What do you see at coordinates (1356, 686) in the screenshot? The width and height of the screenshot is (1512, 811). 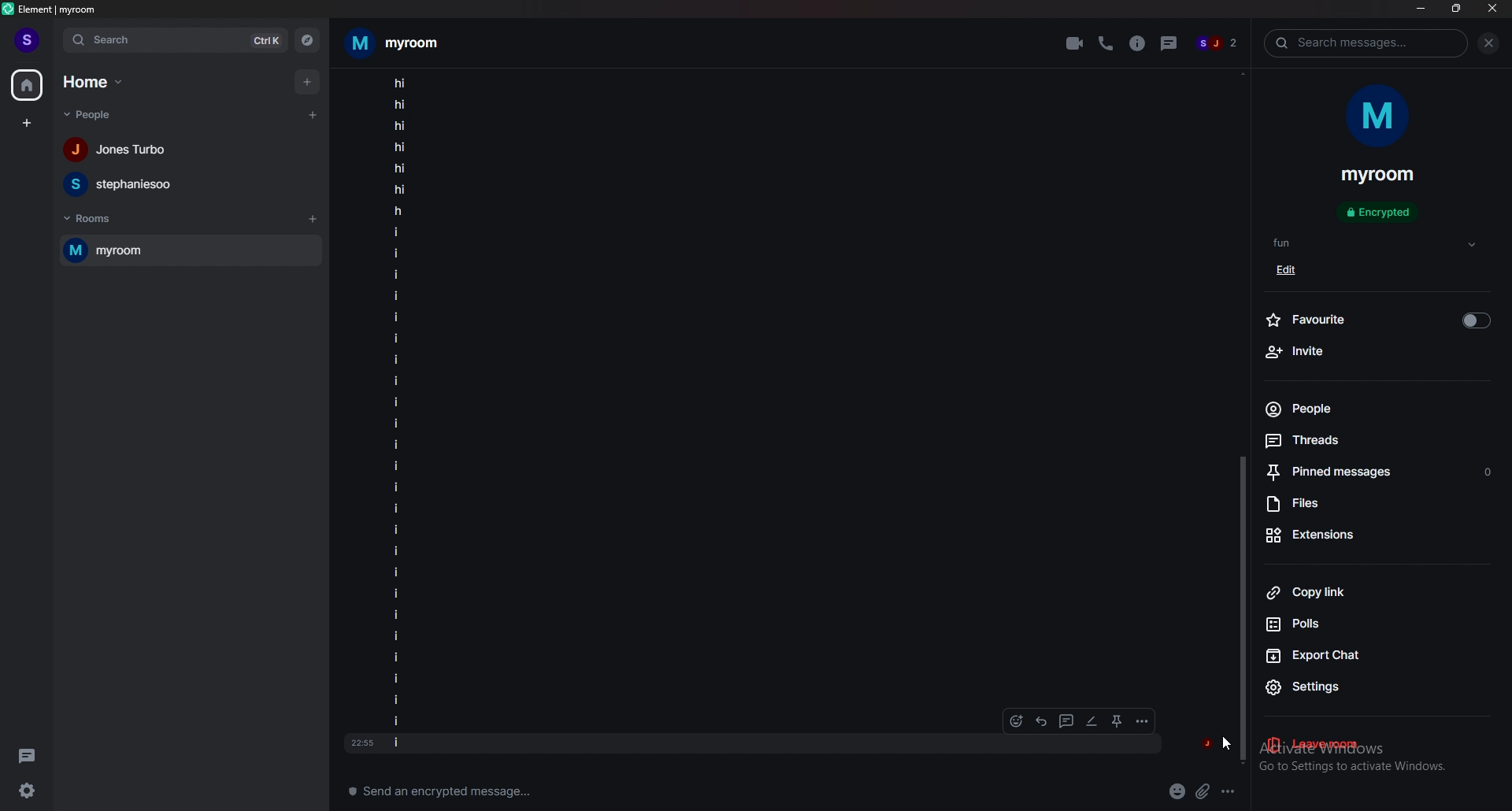 I see `settings` at bounding box center [1356, 686].